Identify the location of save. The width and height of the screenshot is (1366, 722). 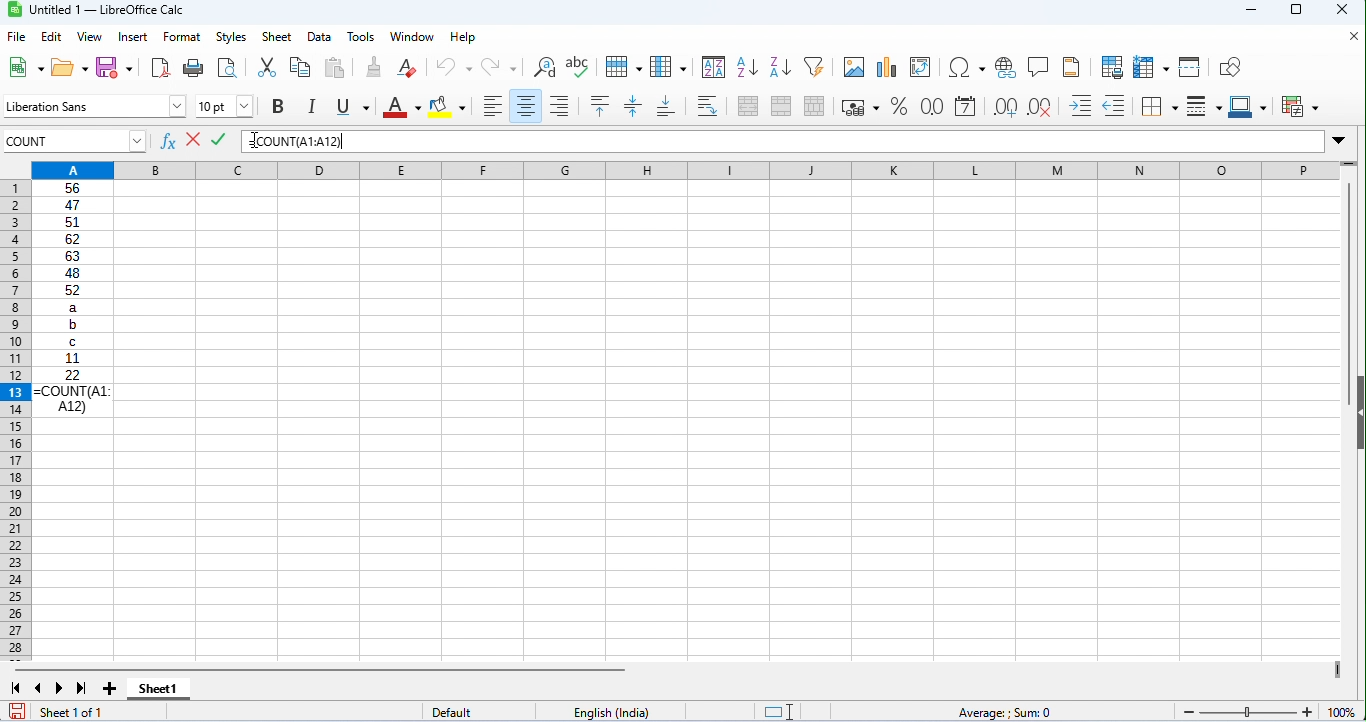
(17, 711).